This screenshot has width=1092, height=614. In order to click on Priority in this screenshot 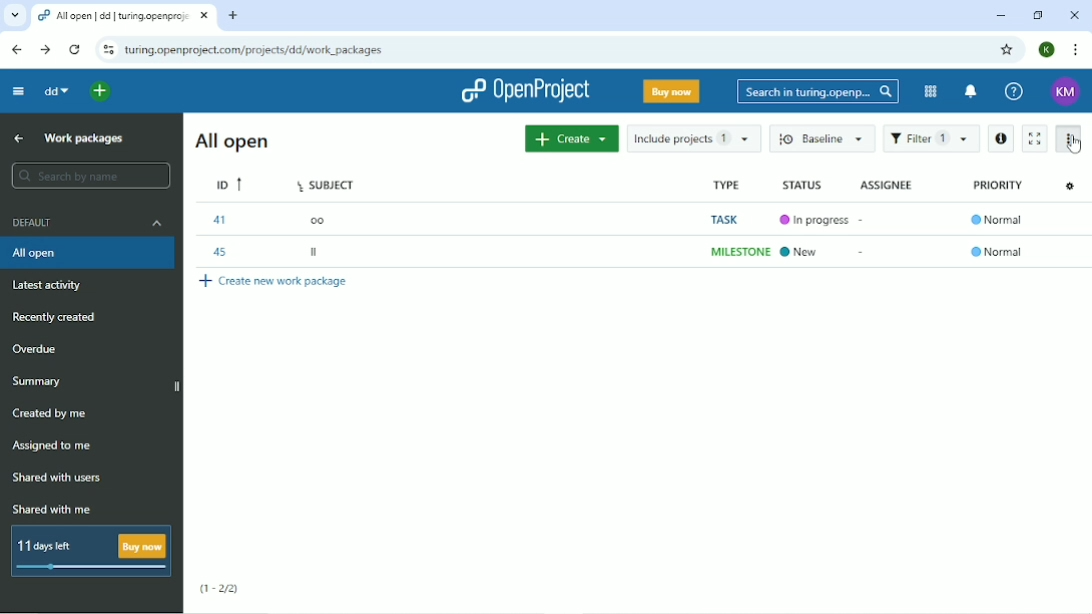, I will do `click(994, 183)`.